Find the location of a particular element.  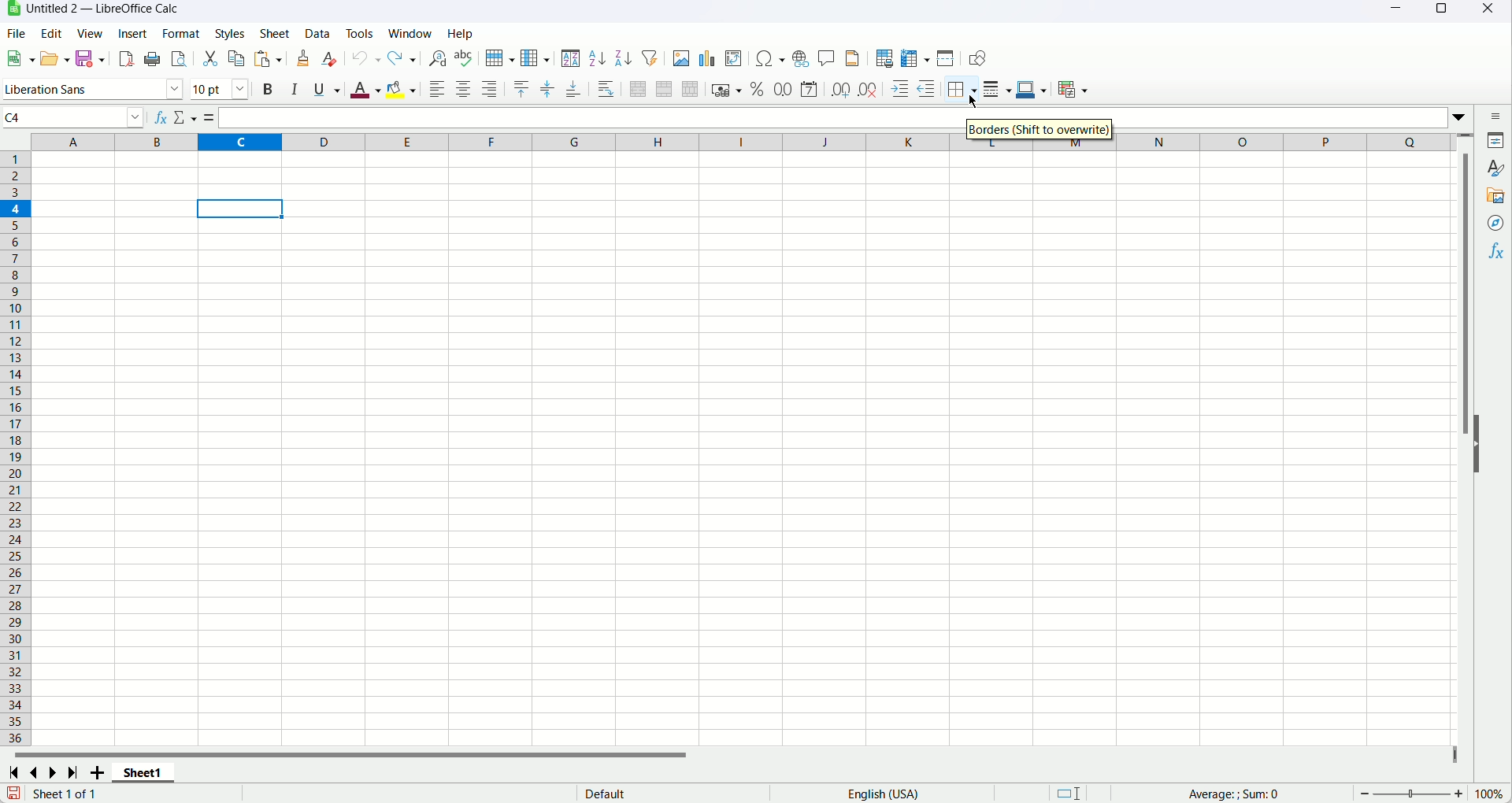

Row is located at coordinates (498, 58).